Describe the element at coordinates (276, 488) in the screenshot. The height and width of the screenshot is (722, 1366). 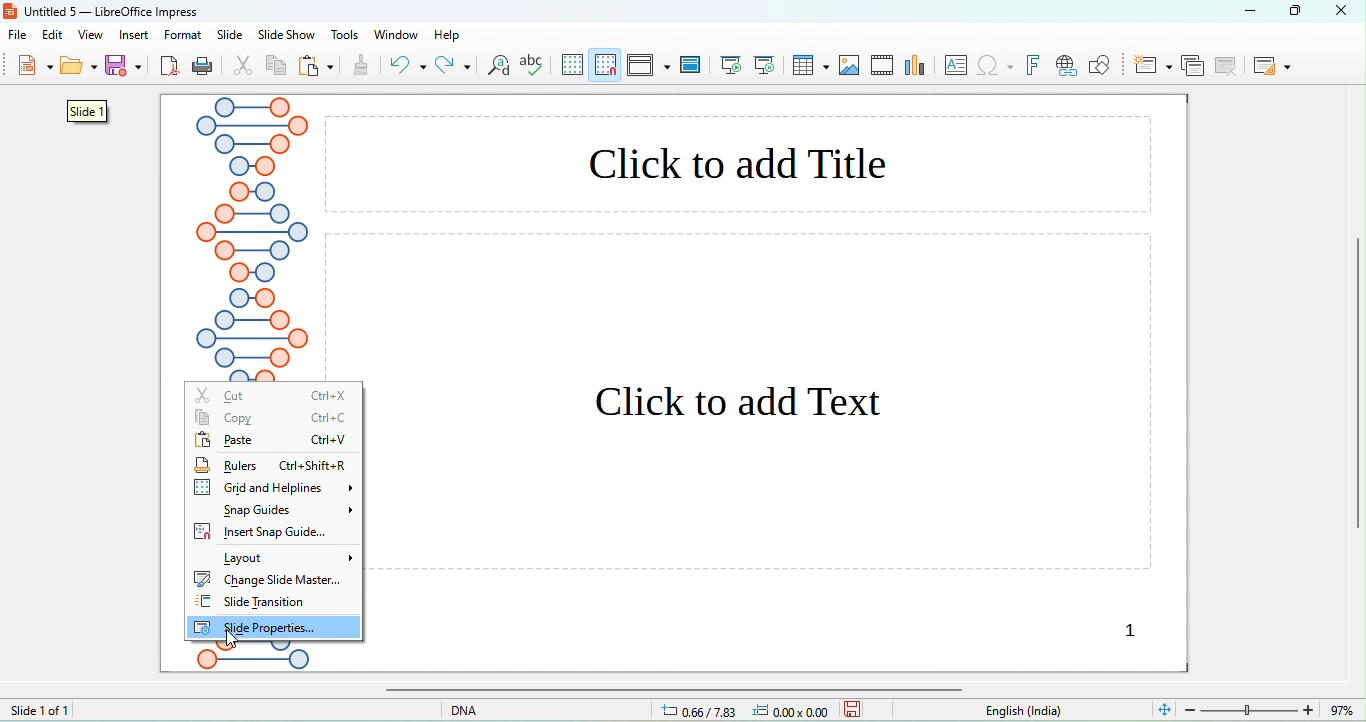
I see `grid and helplines` at that location.